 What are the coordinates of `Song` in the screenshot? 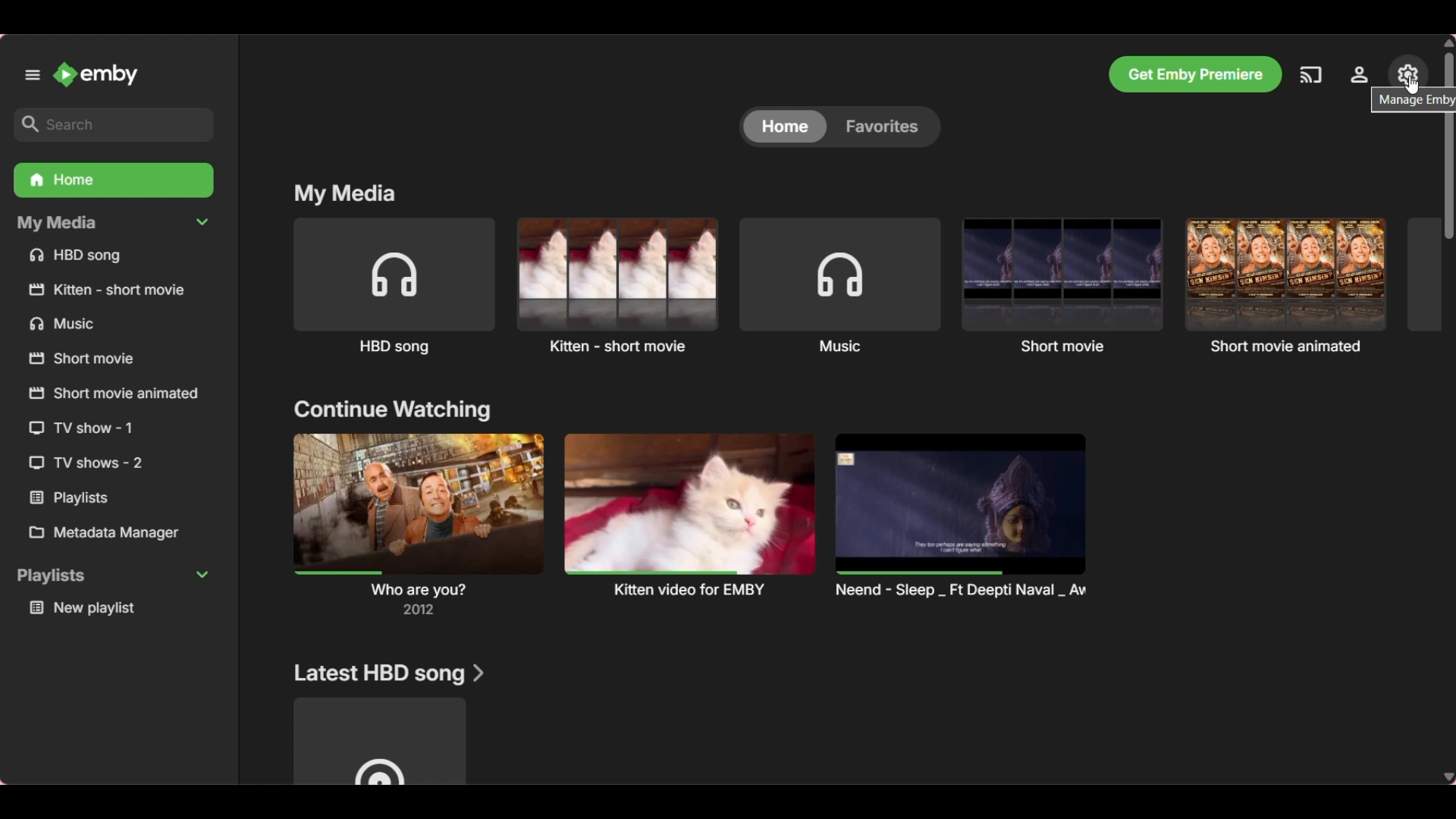 It's located at (394, 288).